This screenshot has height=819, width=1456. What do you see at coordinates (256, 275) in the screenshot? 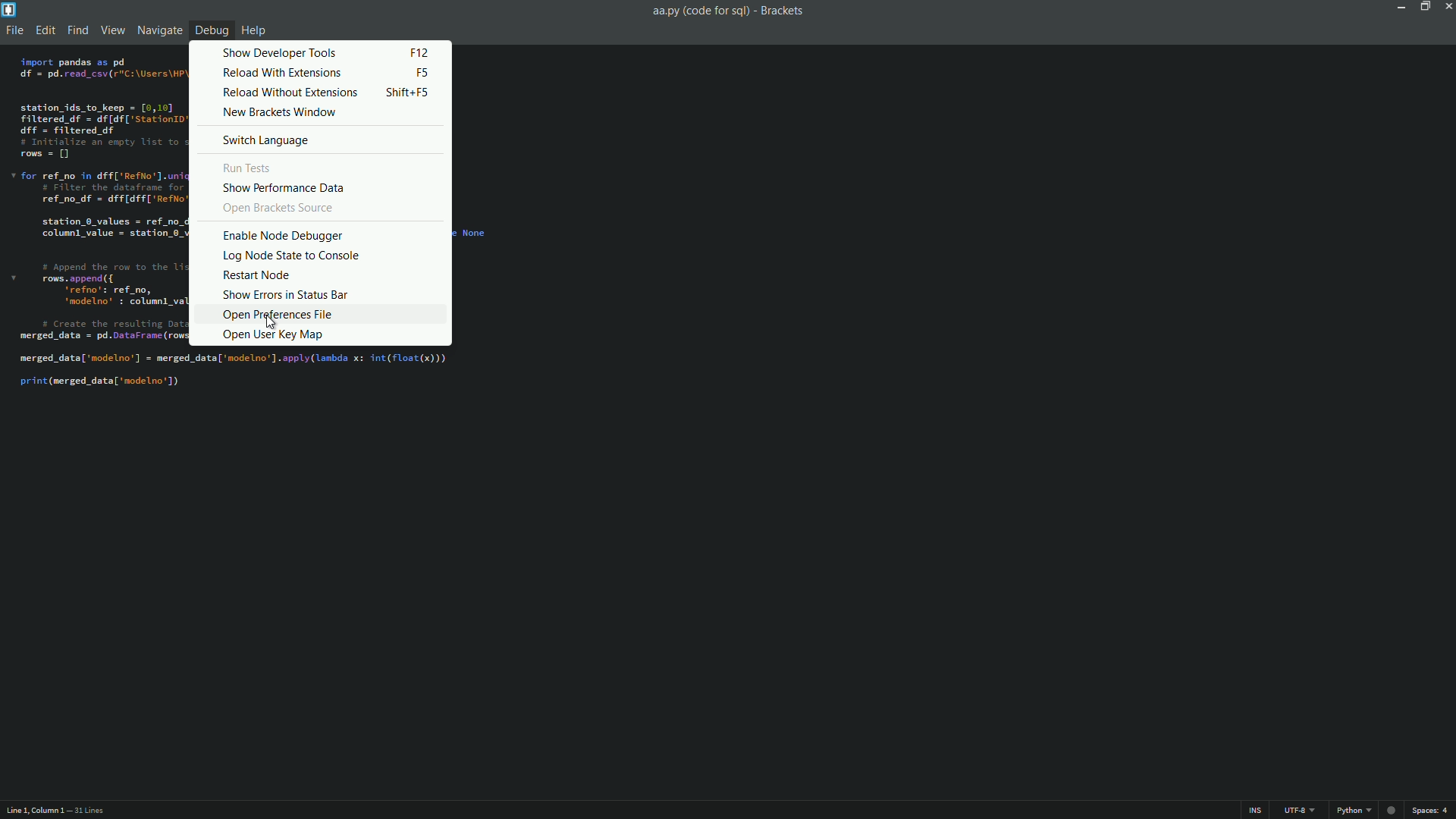
I see `restart node` at bounding box center [256, 275].